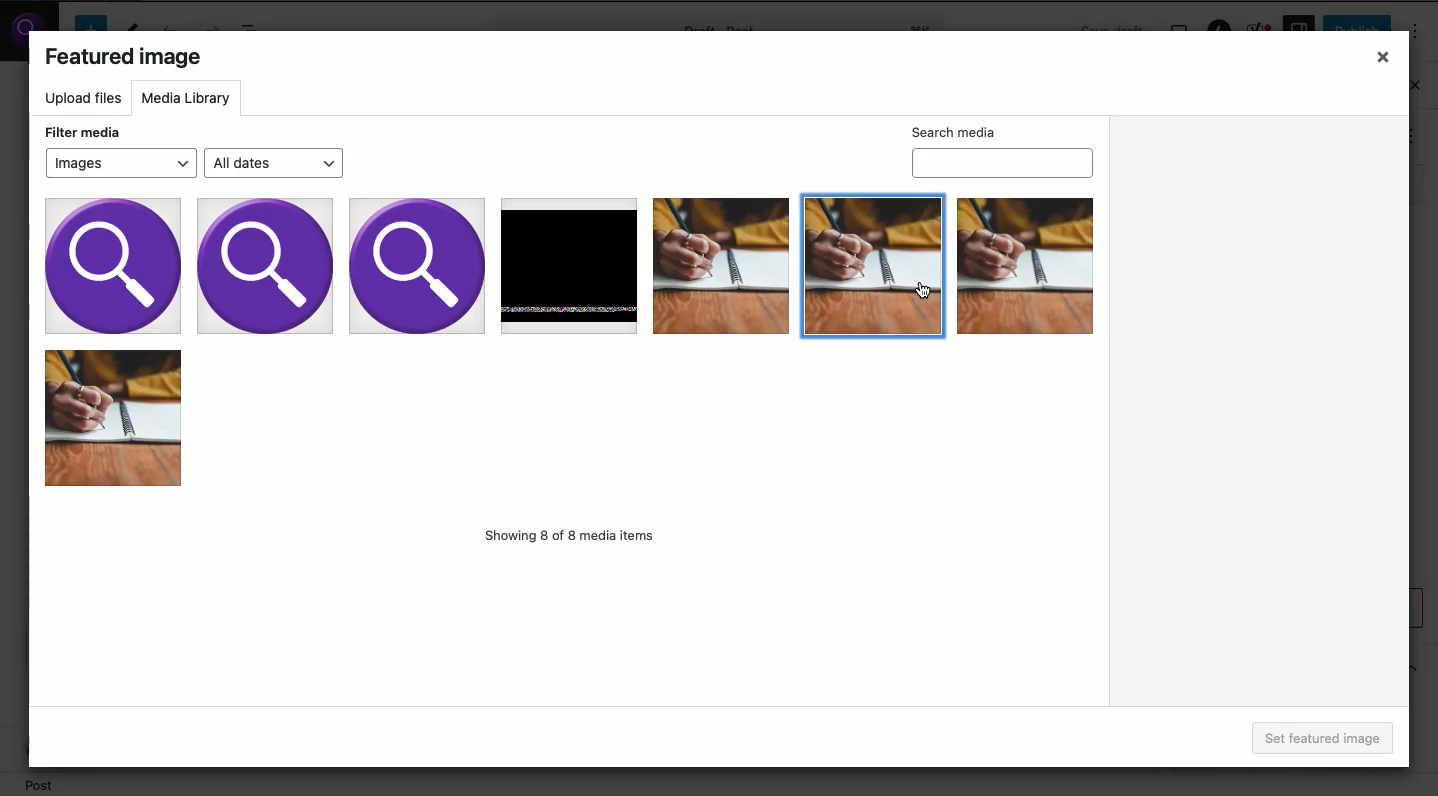 Image resolution: width=1438 pixels, height=796 pixels. I want to click on Featured image, so click(126, 59).